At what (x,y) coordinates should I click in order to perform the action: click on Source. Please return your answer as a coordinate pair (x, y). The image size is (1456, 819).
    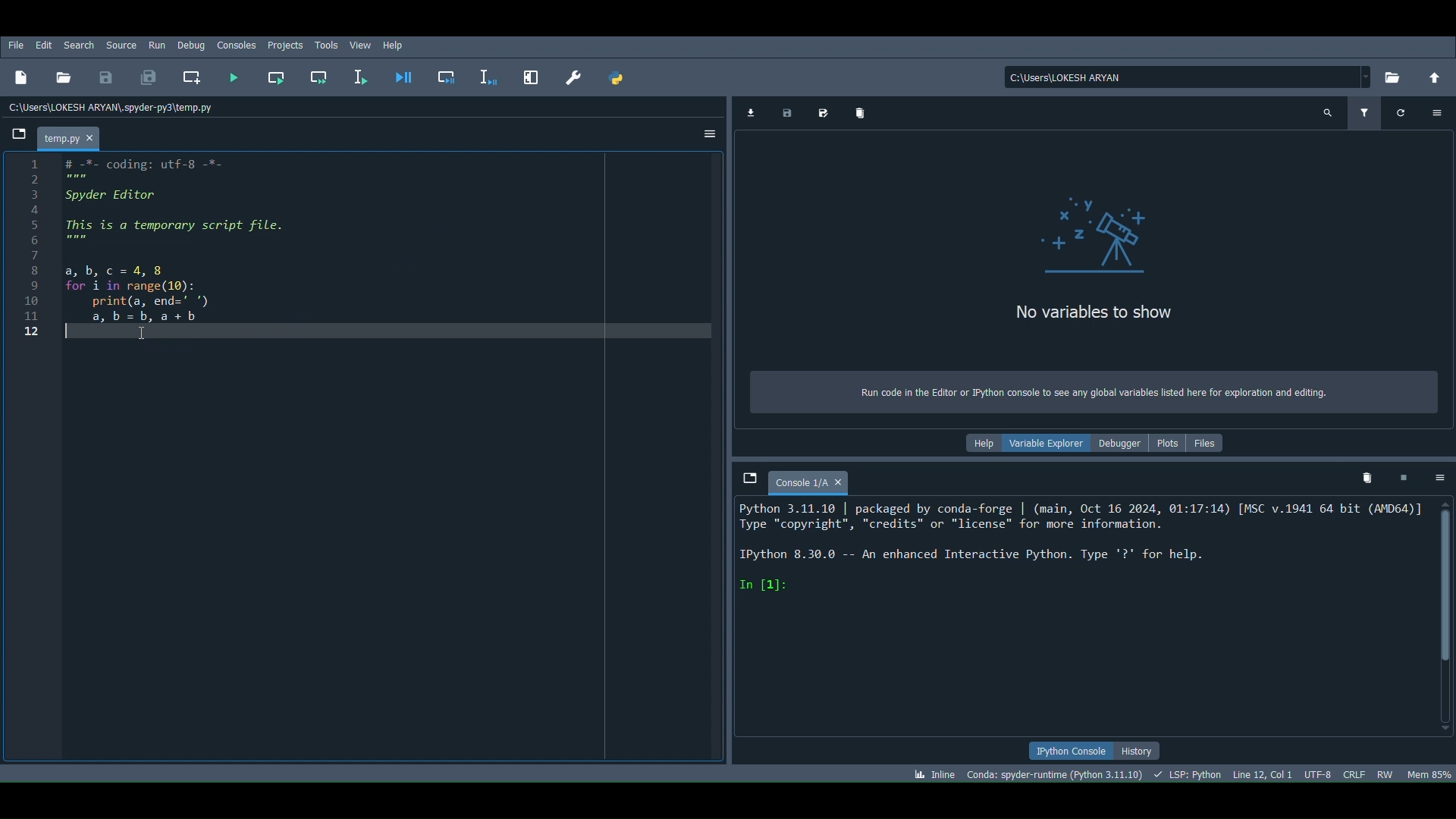
    Looking at the image, I should click on (123, 46).